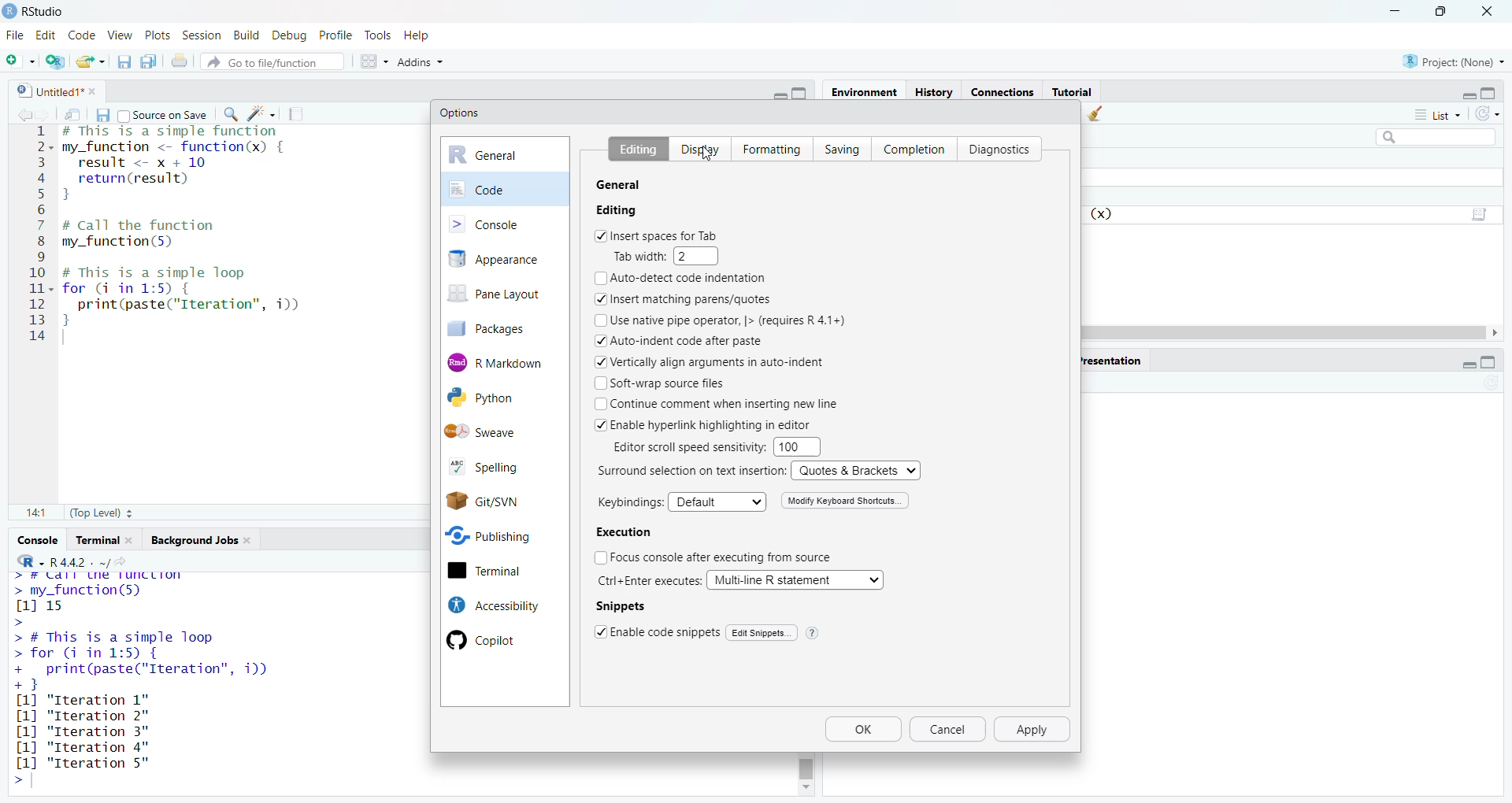 The height and width of the screenshot is (803, 1512). Describe the element at coordinates (846, 502) in the screenshot. I see `Modify Keyboard Shortcuts.` at that location.